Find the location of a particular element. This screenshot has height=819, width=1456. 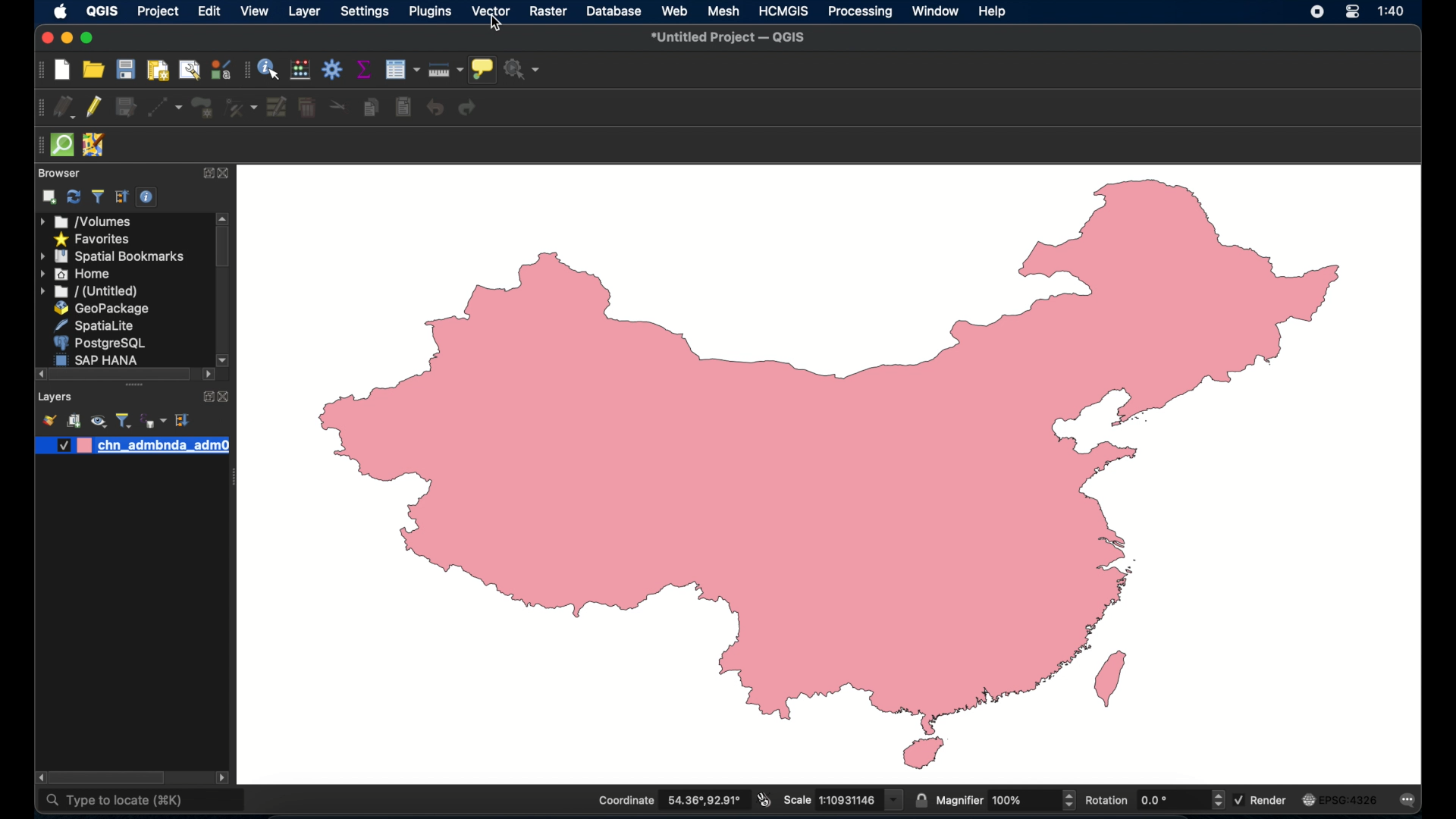

vector map of china is located at coordinates (833, 474).